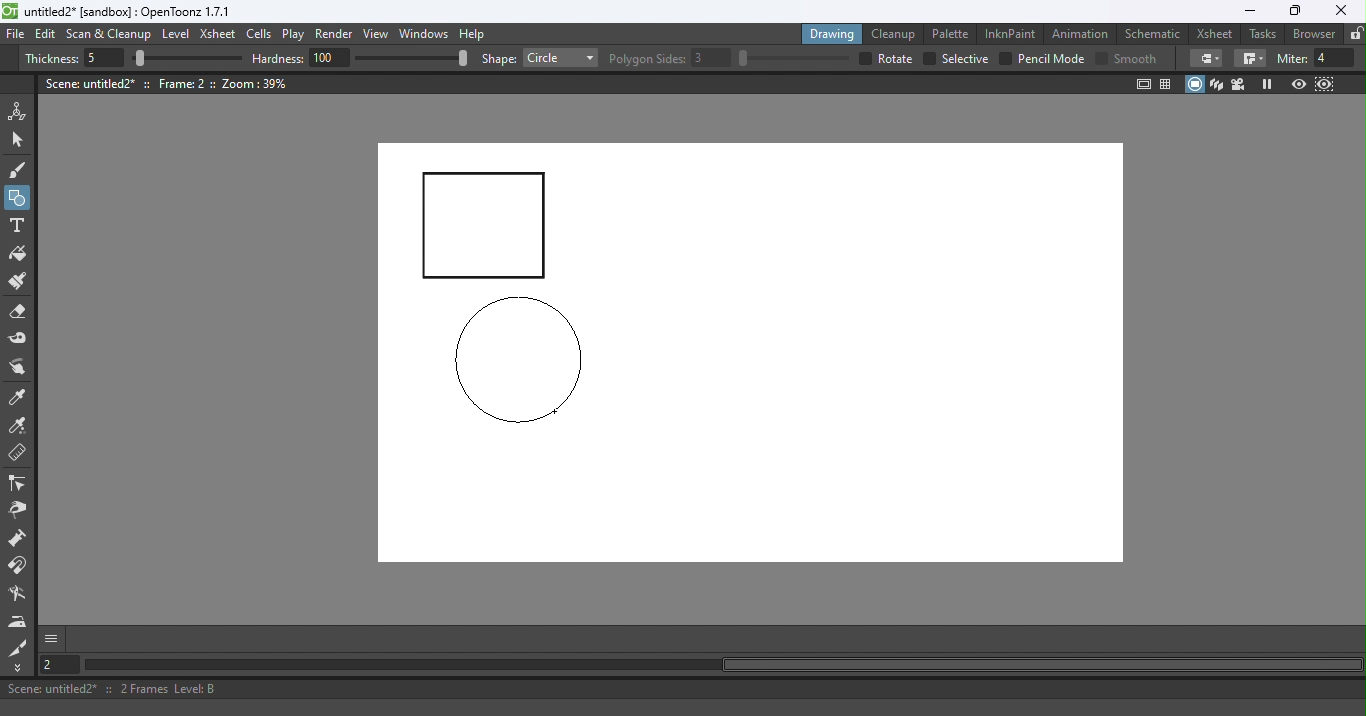 This screenshot has height=716, width=1366. What do you see at coordinates (965, 59) in the screenshot?
I see `selective` at bounding box center [965, 59].